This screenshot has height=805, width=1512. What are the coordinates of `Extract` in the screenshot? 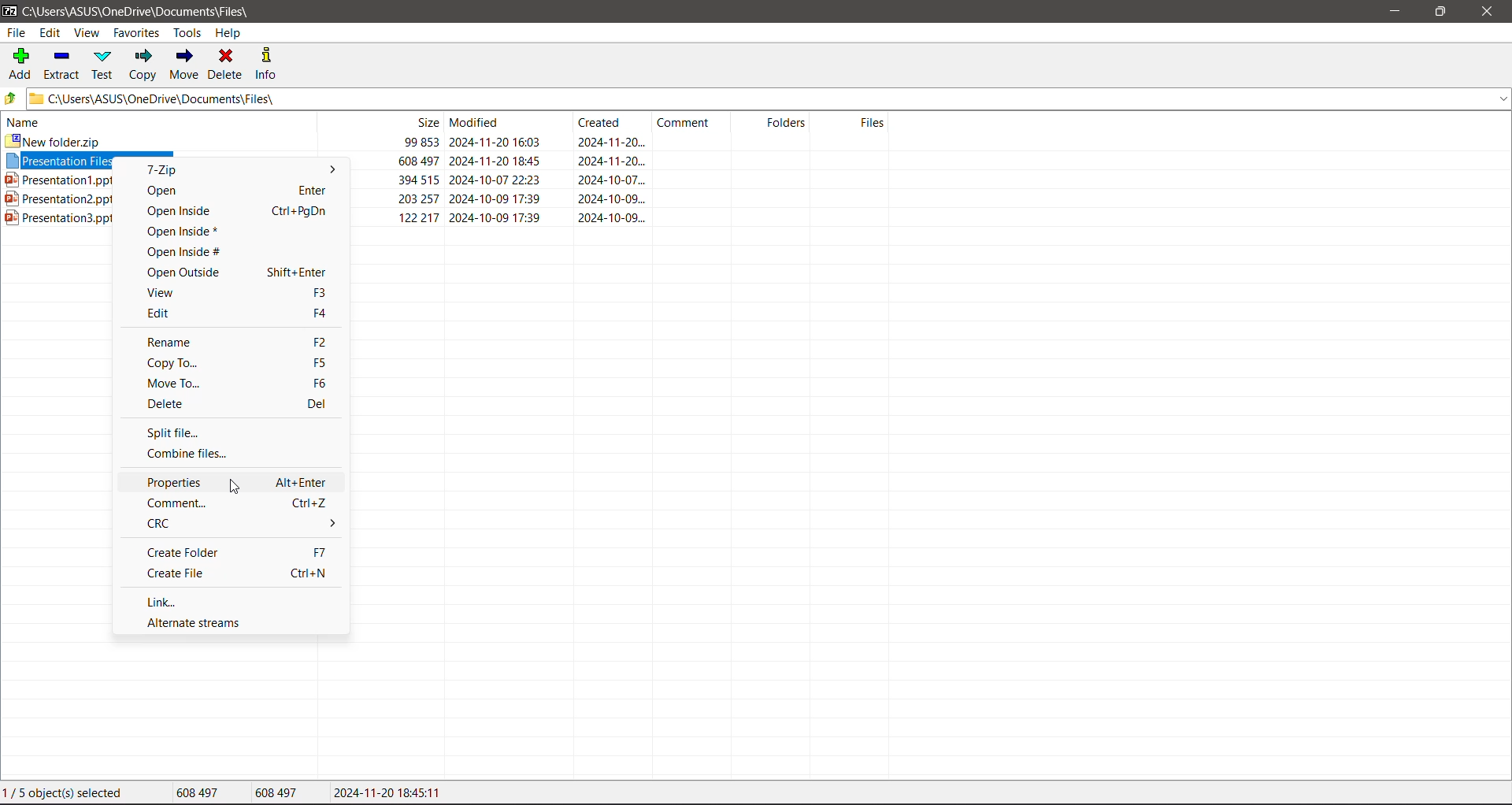 It's located at (60, 65).